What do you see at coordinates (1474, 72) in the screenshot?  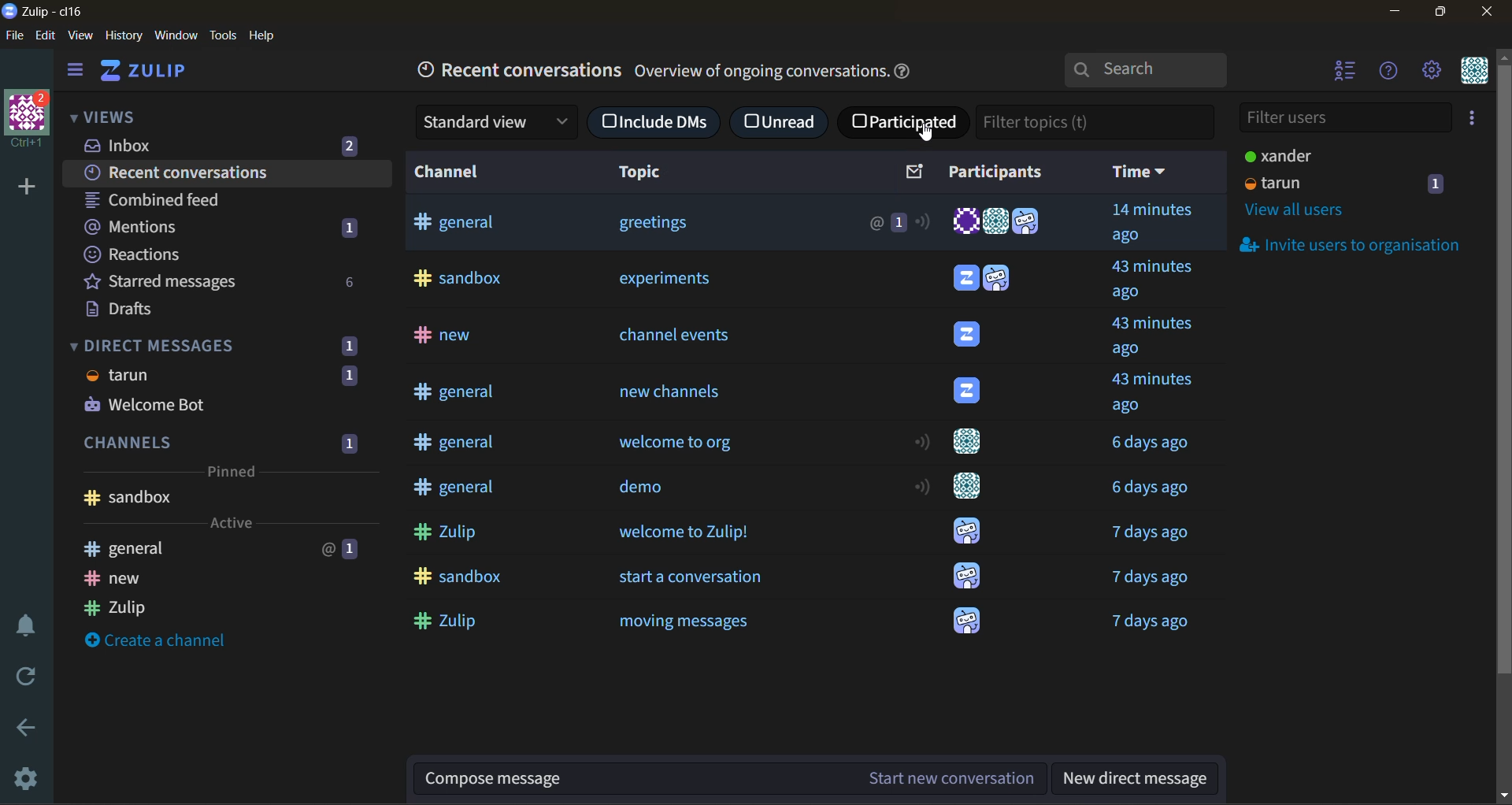 I see `personal menu` at bounding box center [1474, 72].